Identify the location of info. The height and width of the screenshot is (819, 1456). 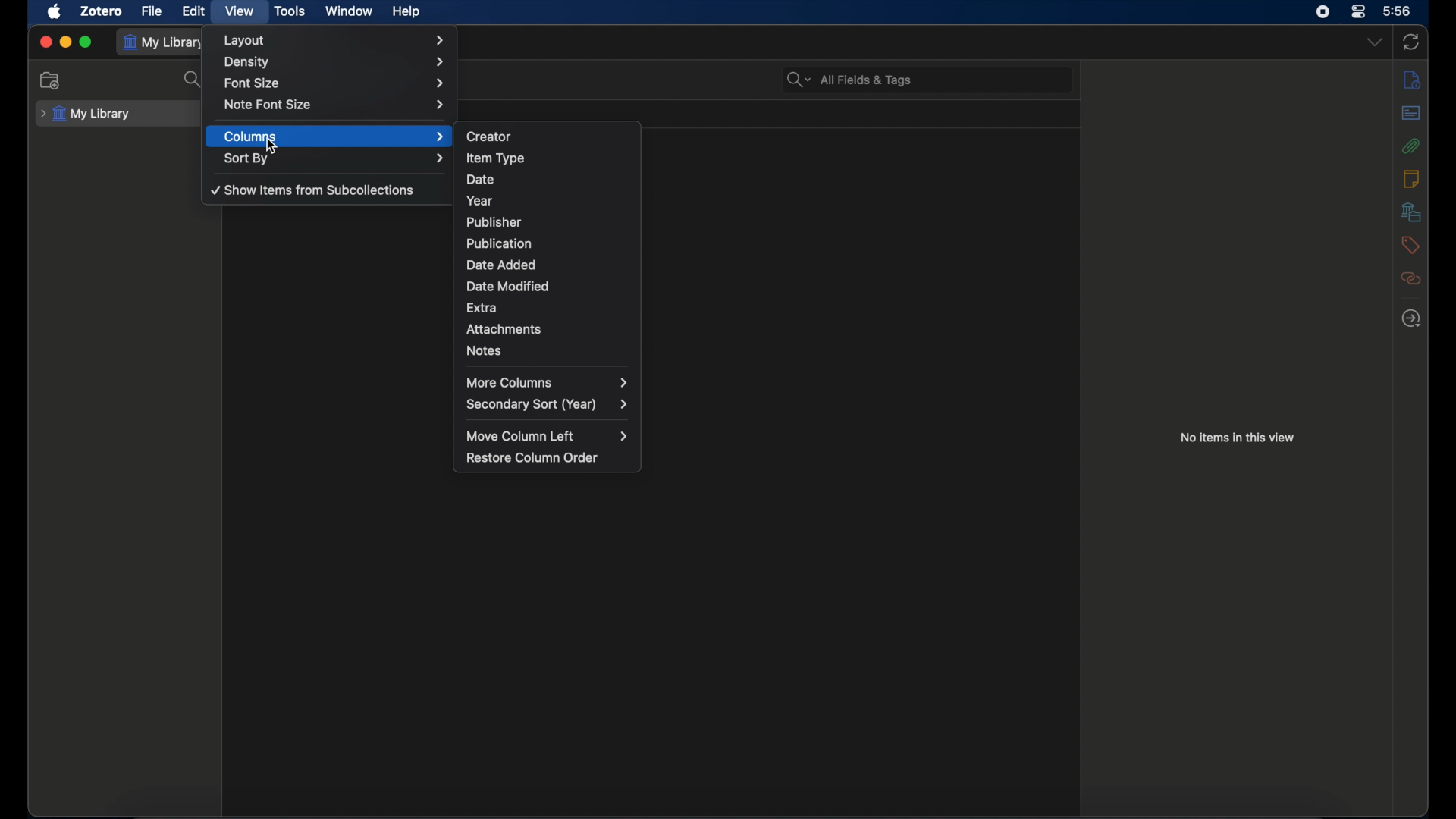
(1412, 79).